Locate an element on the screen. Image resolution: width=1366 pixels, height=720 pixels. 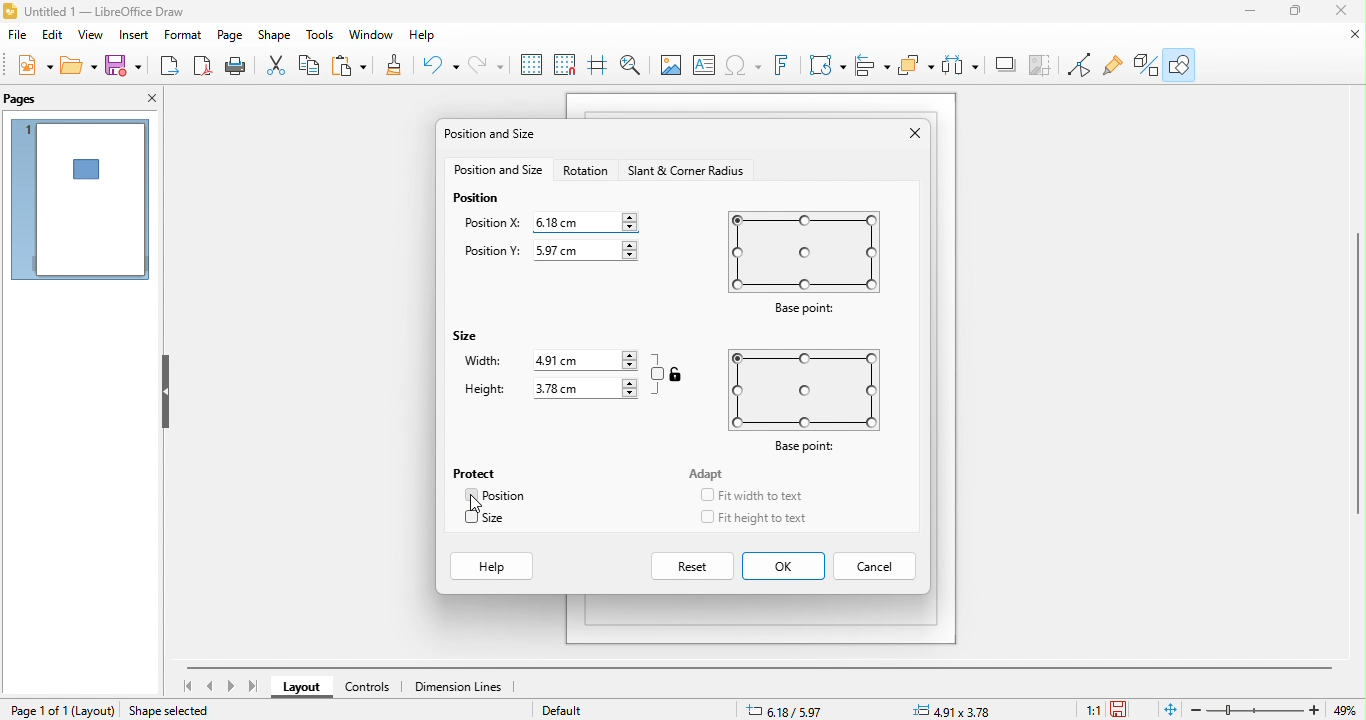
height is located at coordinates (485, 390).